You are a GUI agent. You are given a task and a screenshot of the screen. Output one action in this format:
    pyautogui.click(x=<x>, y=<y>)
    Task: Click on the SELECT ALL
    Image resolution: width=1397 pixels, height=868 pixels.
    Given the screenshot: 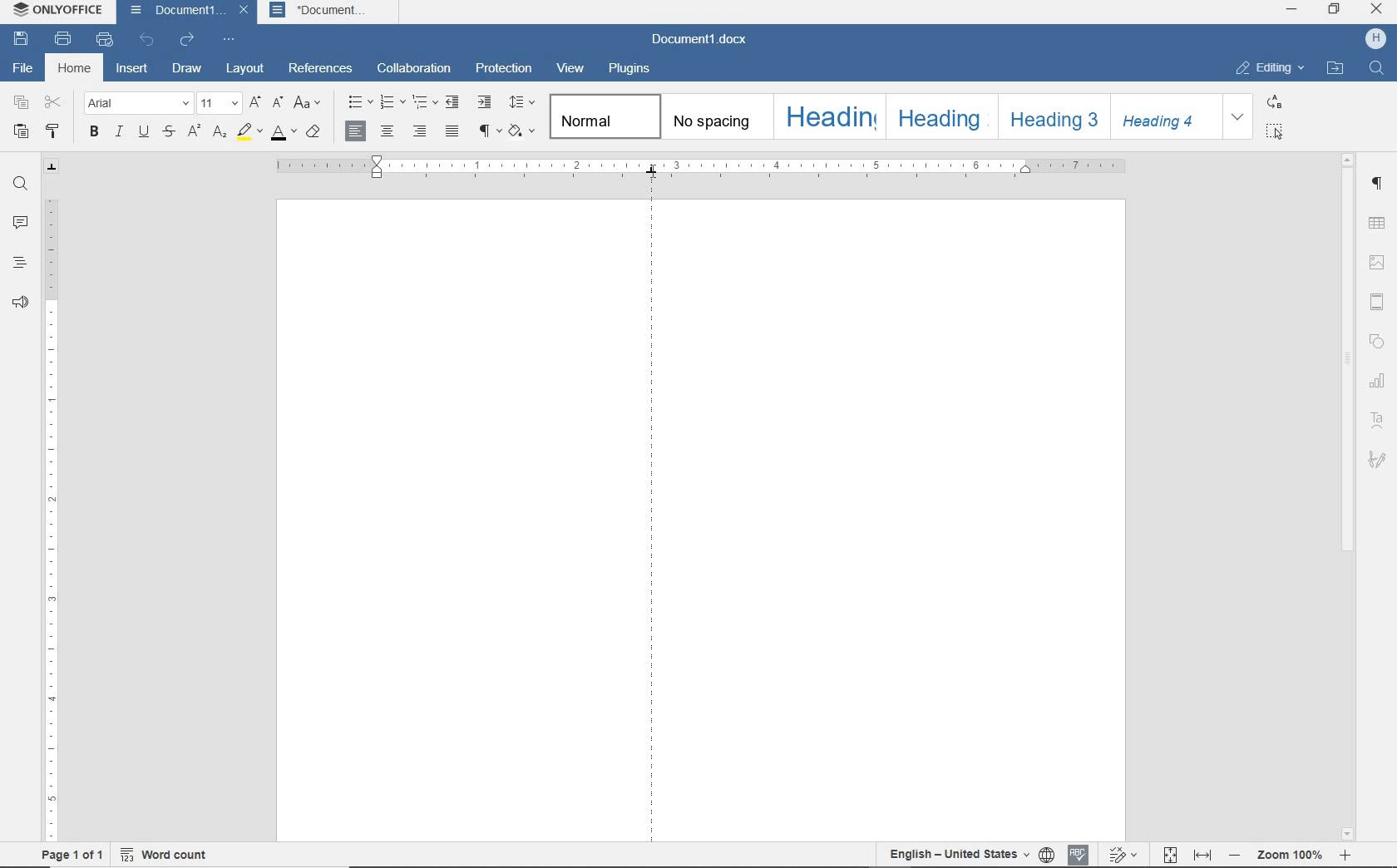 What is the action you would take?
    pyautogui.click(x=1276, y=132)
    